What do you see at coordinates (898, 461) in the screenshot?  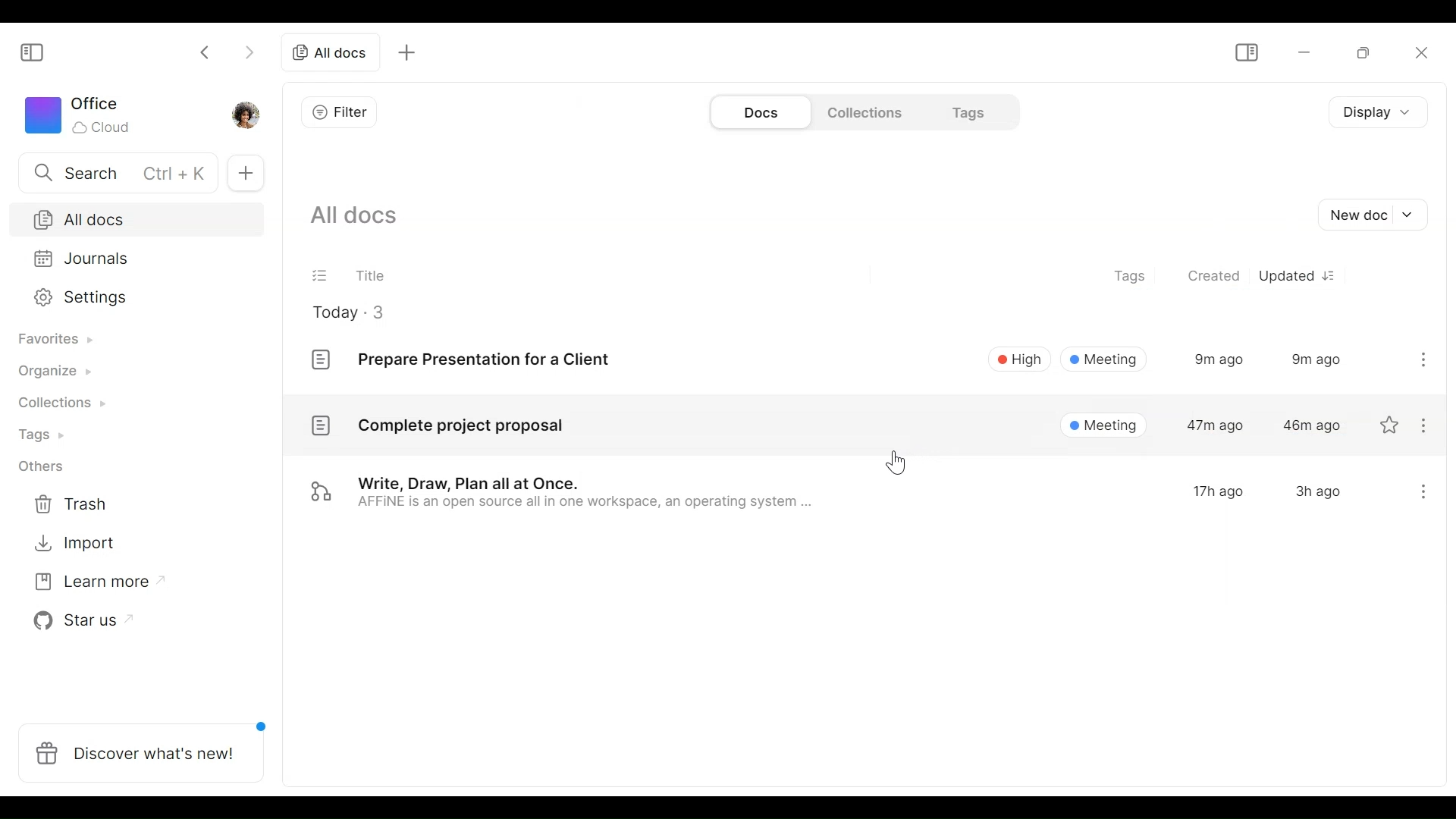 I see `Cursor` at bounding box center [898, 461].